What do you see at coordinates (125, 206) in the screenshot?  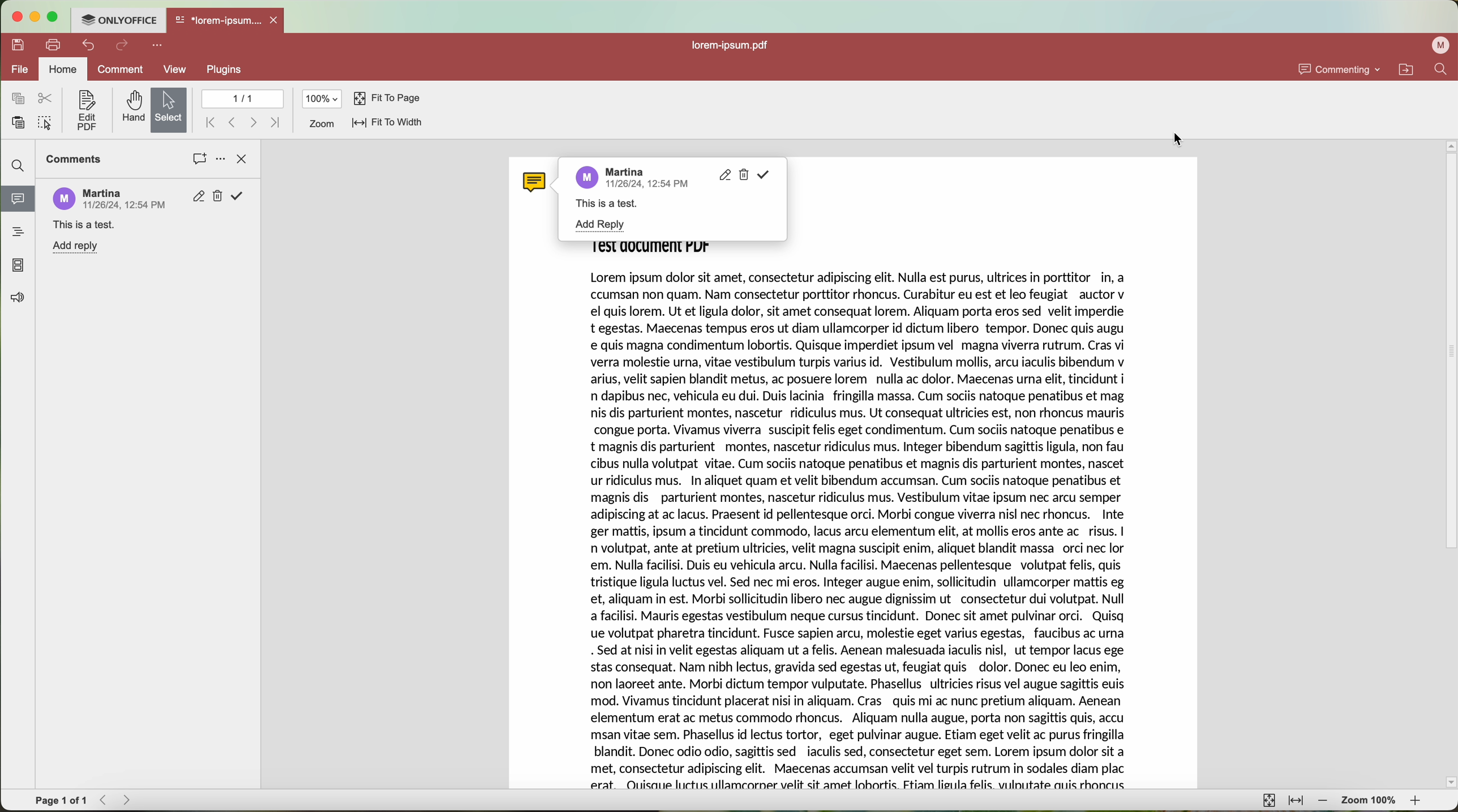 I see `date and hour` at bounding box center [125, 206].